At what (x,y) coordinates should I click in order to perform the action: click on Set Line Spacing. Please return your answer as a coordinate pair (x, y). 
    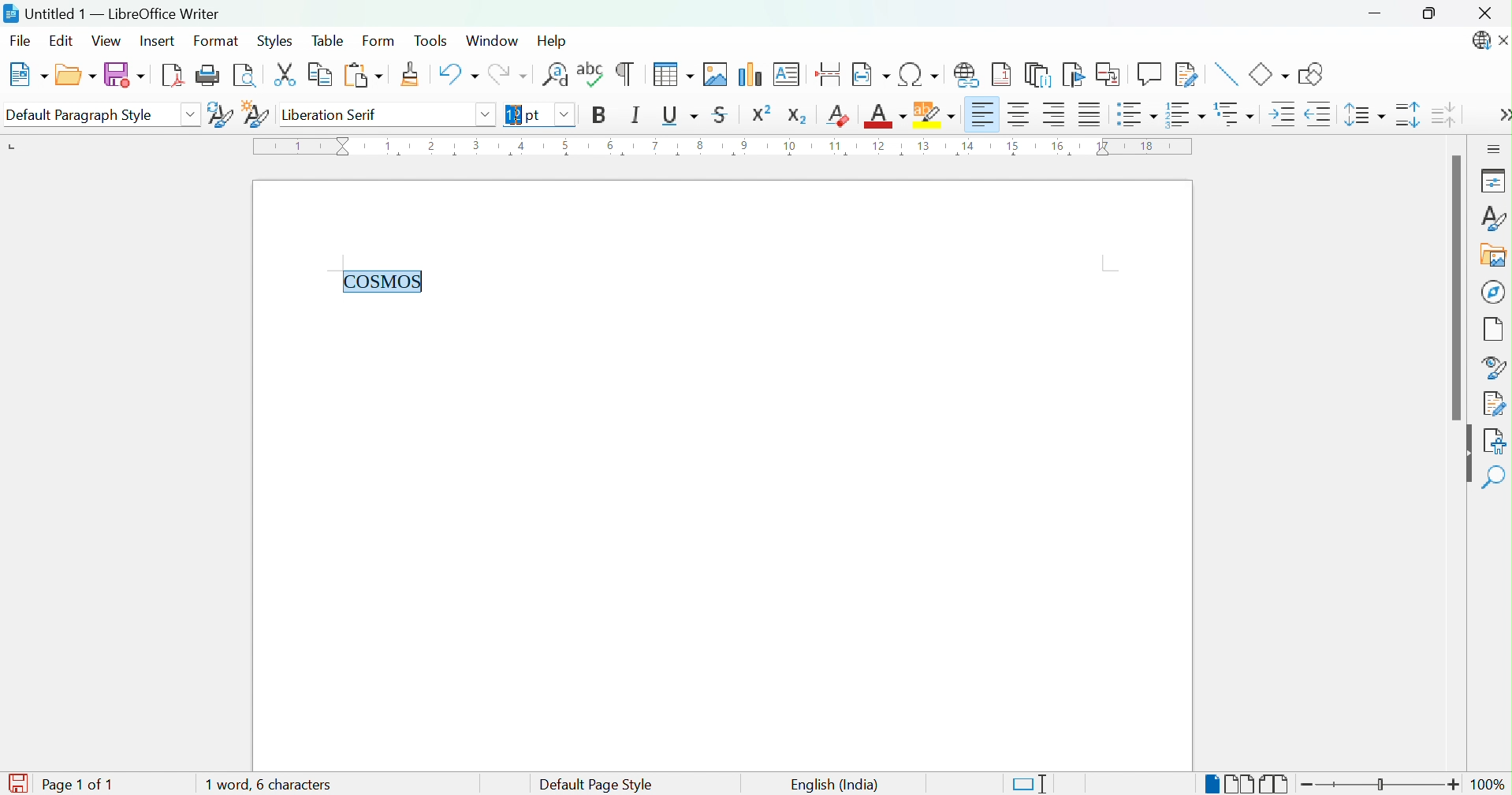
    Looking at the image, I should click on (1364, 117).